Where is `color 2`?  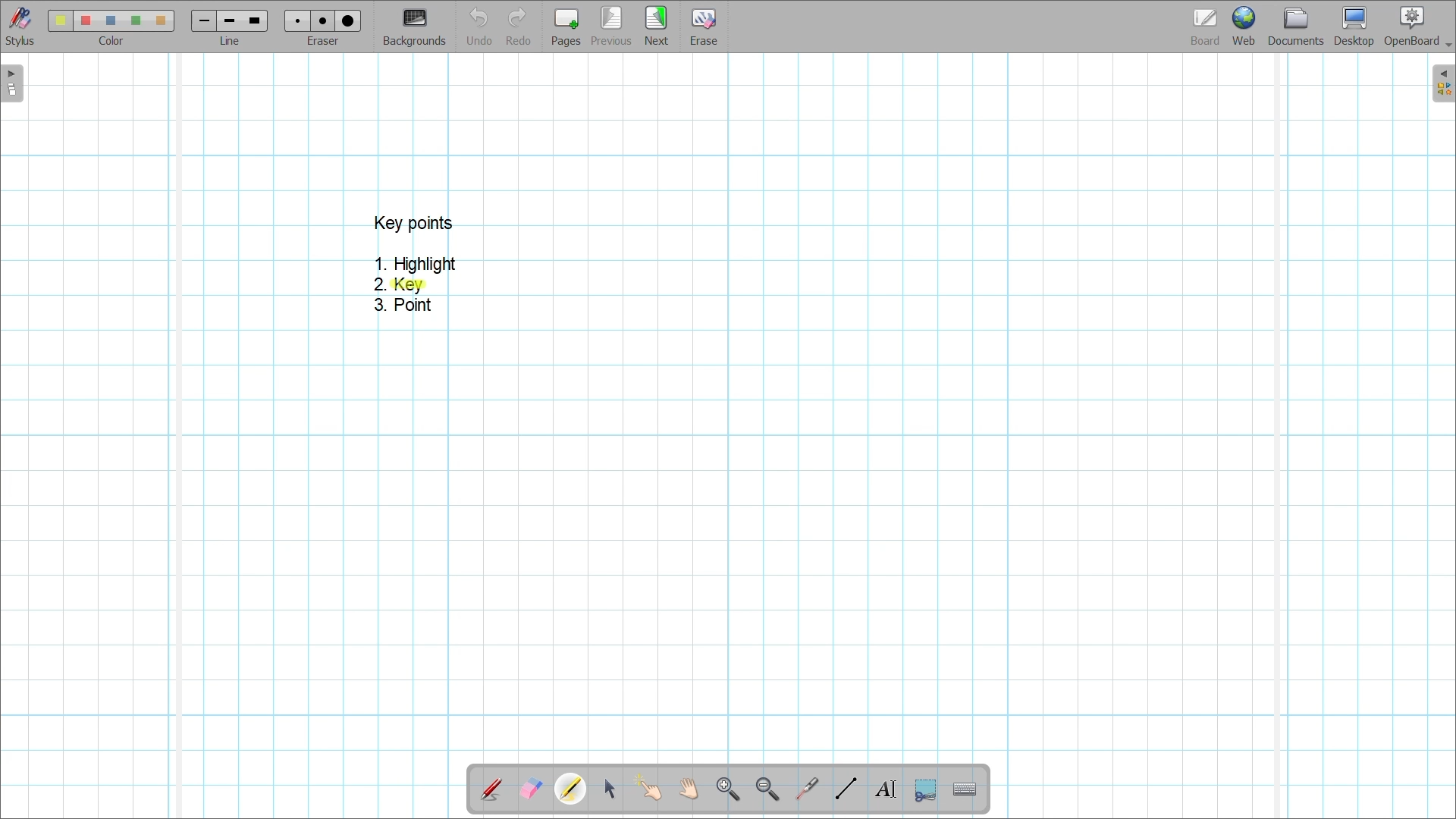
color 2 is located at coordinates (85, 21).